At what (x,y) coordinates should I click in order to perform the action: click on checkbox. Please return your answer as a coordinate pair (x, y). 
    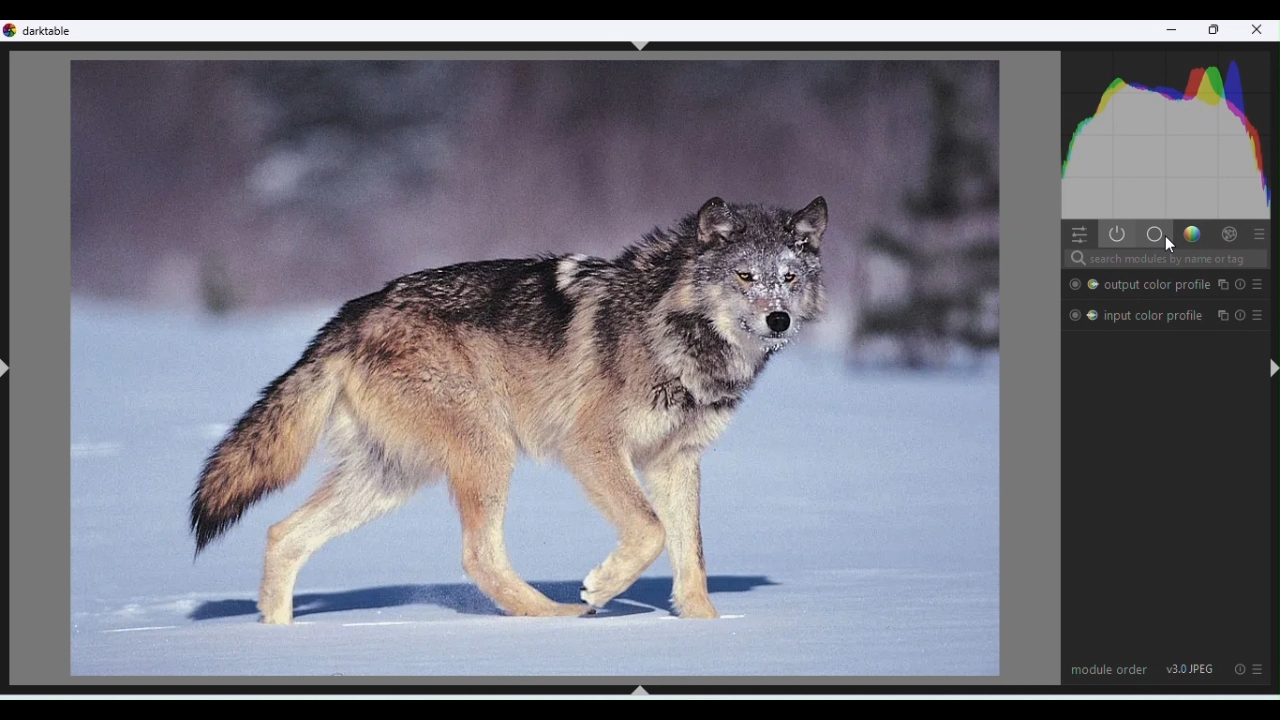
    Looking at the image, I should click on (1074, 284).